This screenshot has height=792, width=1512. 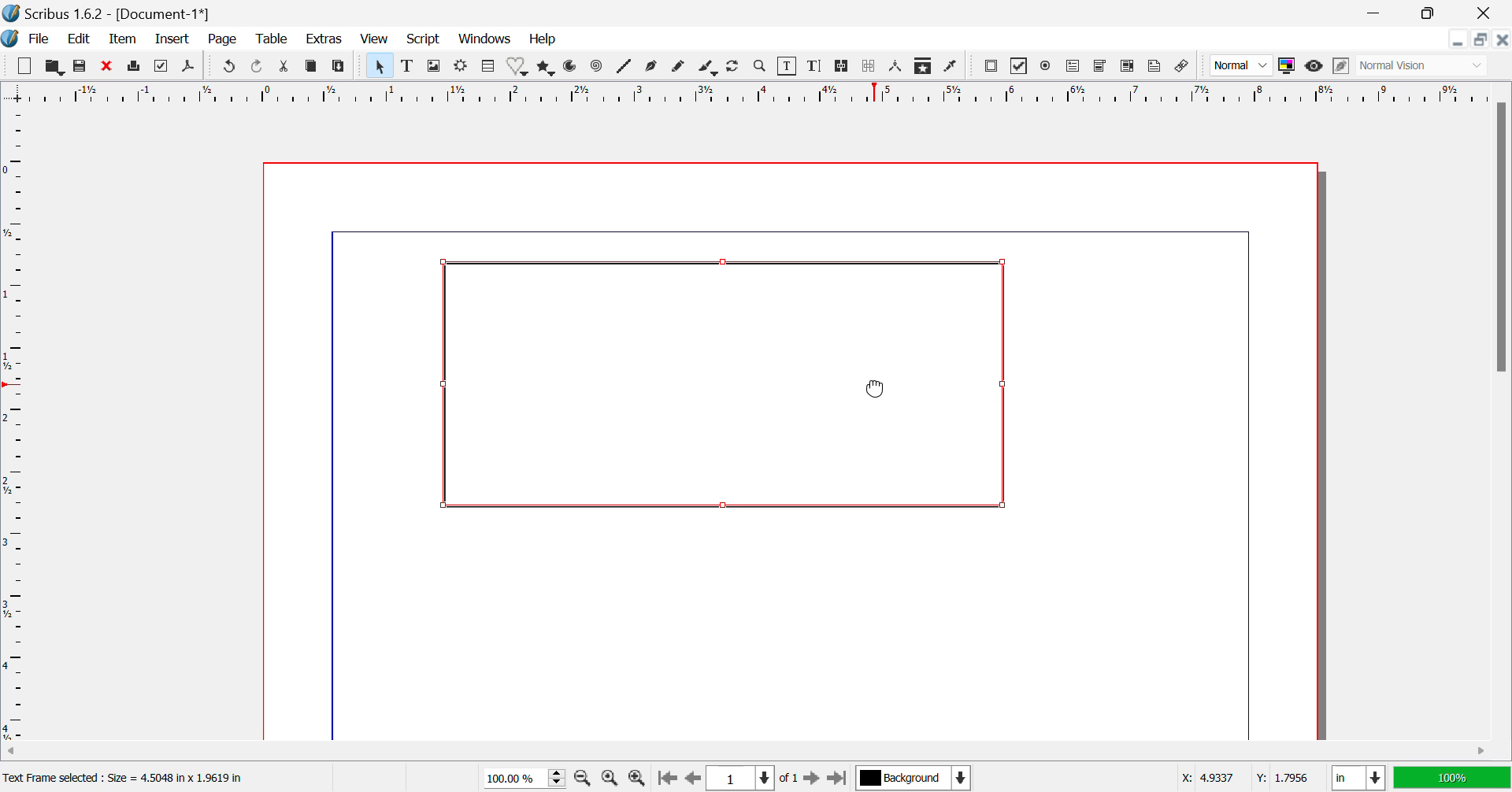 I want to click on Close, so click(x=1503, y=40).